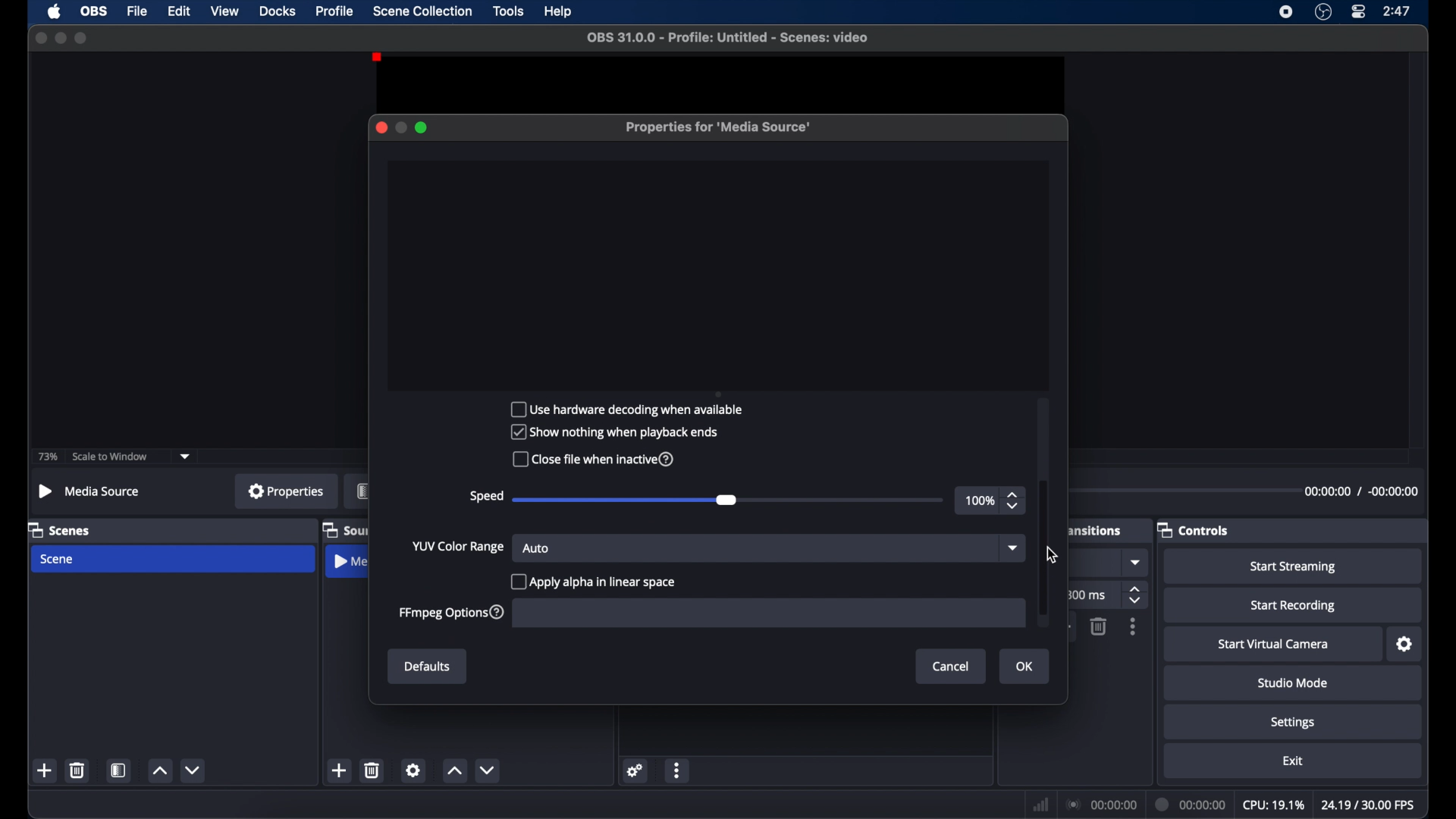 The width and height of the screenshot is (1456, 819). Describe the element at coordinates (381, 127) in the screenshot. I see `close` at that location.